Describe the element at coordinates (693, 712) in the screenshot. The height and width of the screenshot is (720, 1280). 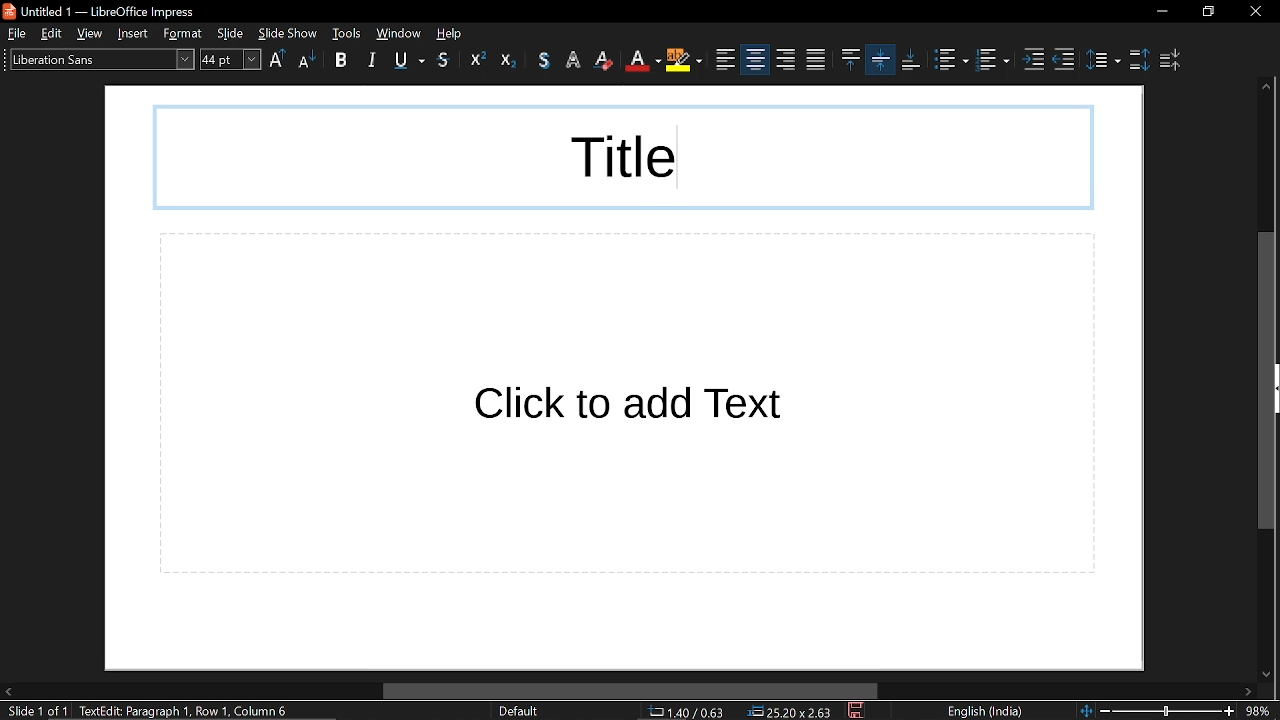
I see `cursor co-ordinate` at that location.